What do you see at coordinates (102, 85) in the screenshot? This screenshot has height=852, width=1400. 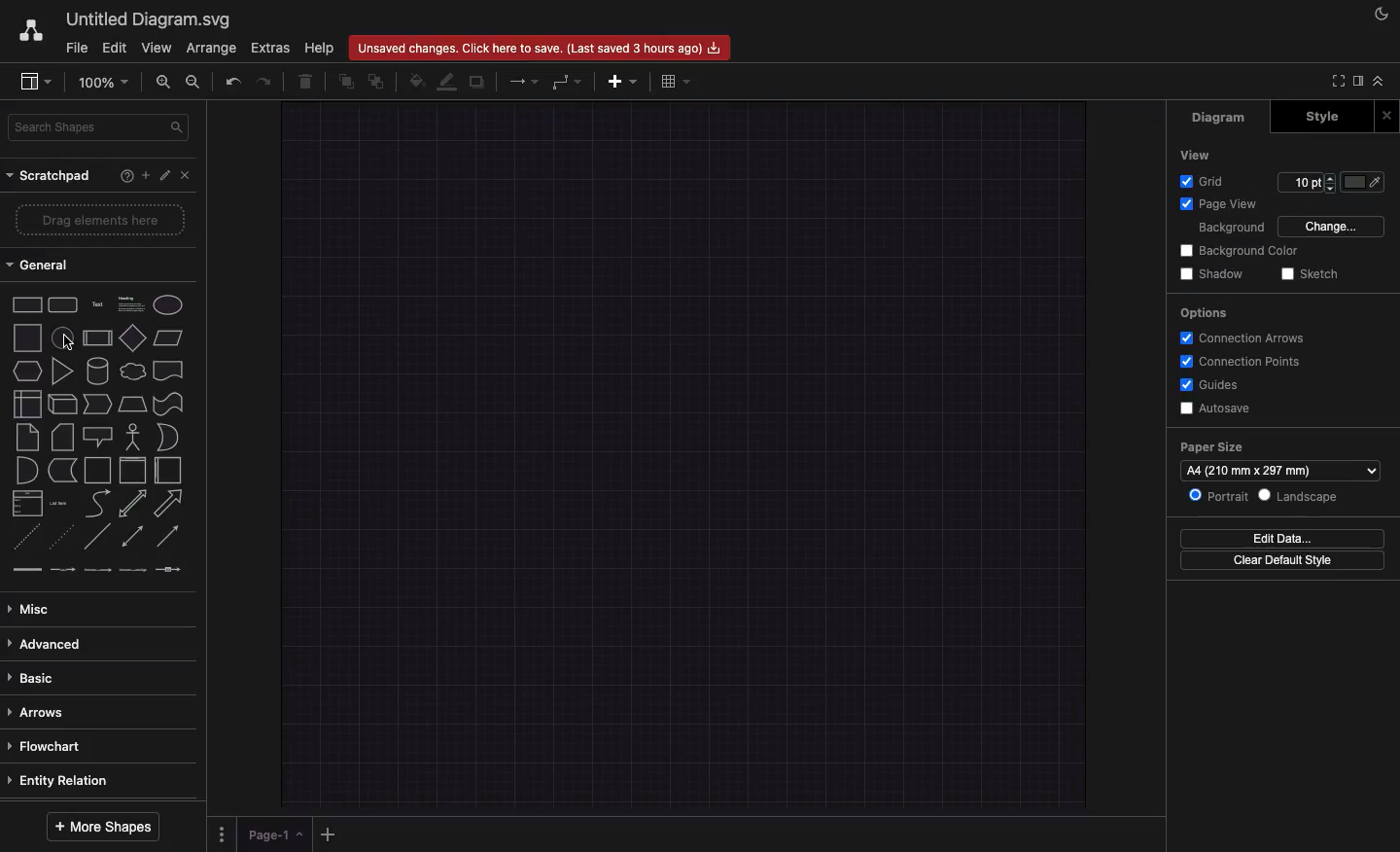 I see `Zoom` at bounding box center [102, 85].